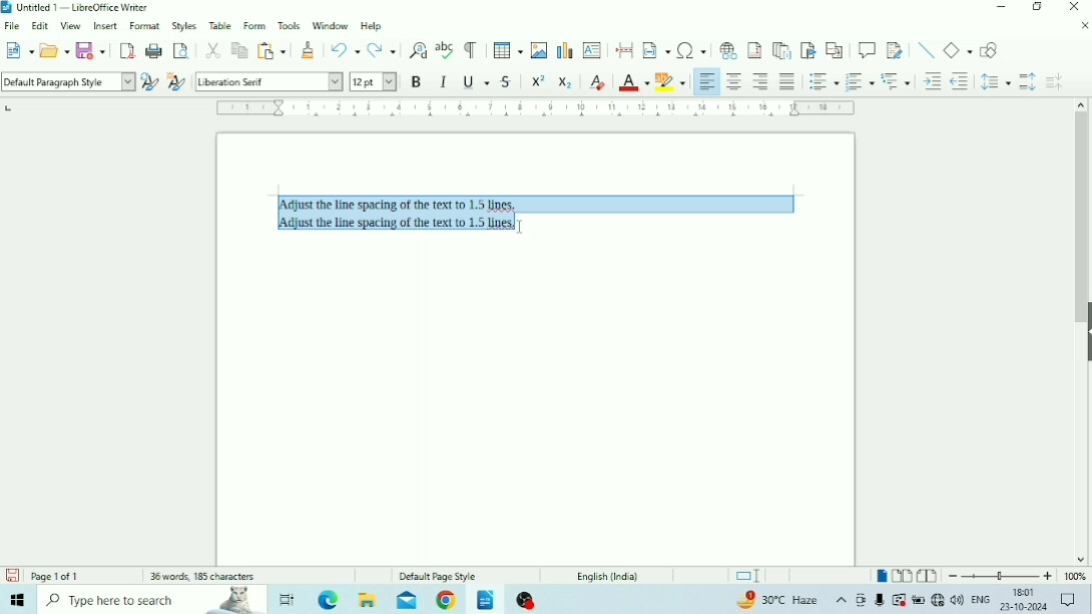  I want to click on Character Highlighting Color, so click(670, 81).